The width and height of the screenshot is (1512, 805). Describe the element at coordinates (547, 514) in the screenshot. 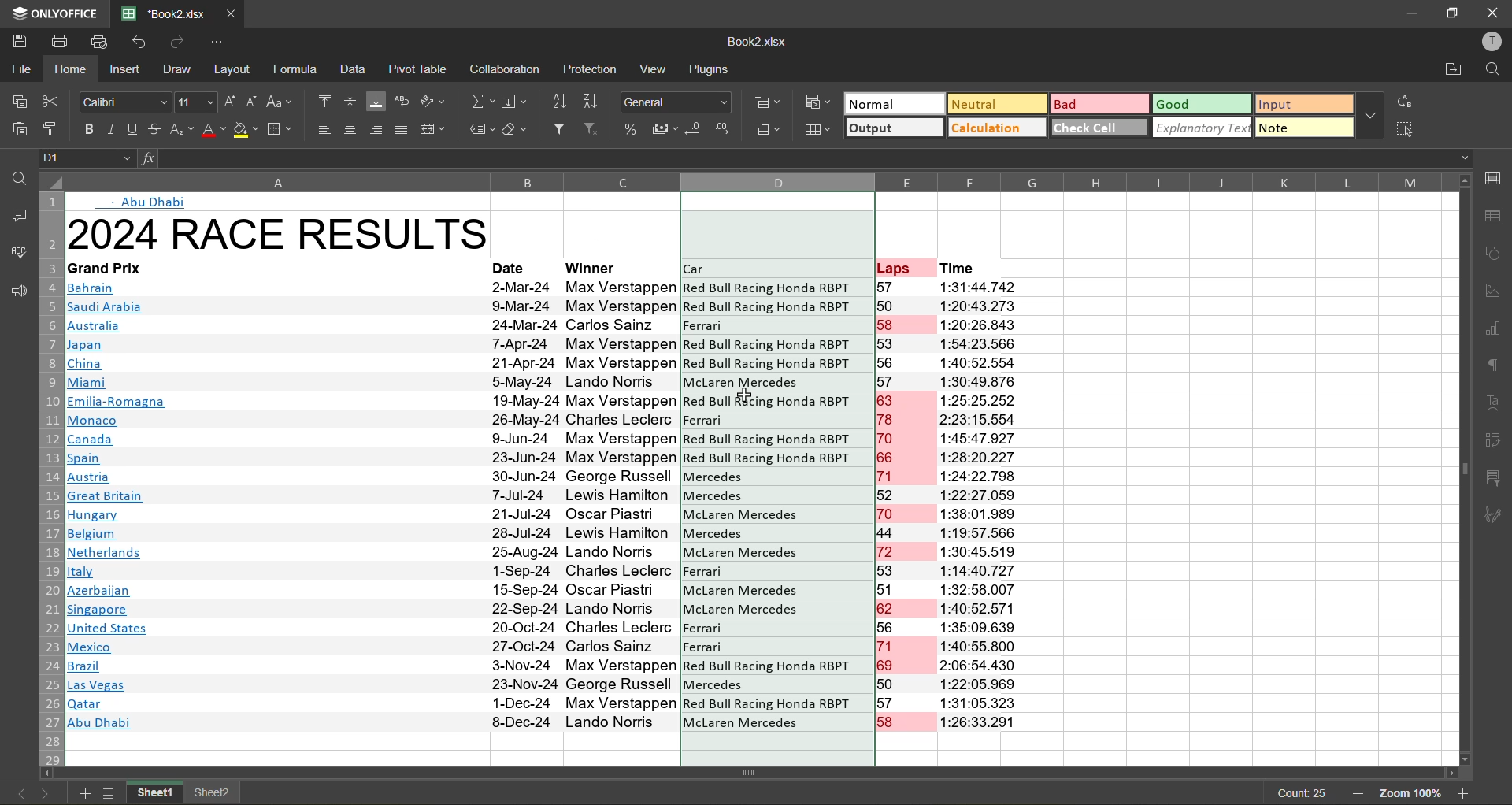

I see `Hungary 21-Jul-24 Oscar Piastr McLaren Mercedes 70 1:38:01.989` at that location.